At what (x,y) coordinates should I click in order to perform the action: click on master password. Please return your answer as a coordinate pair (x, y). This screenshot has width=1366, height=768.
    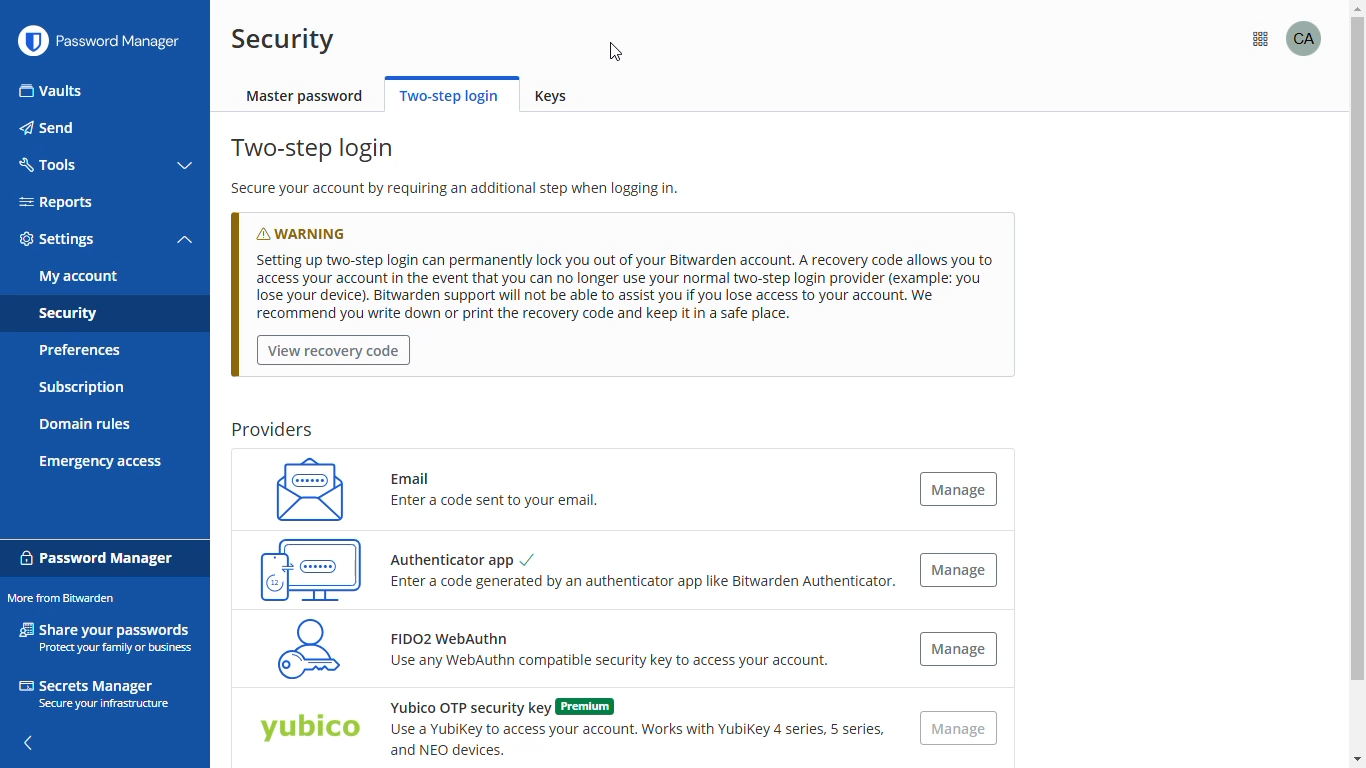
    Looking at the image, I should click on (306, 97).